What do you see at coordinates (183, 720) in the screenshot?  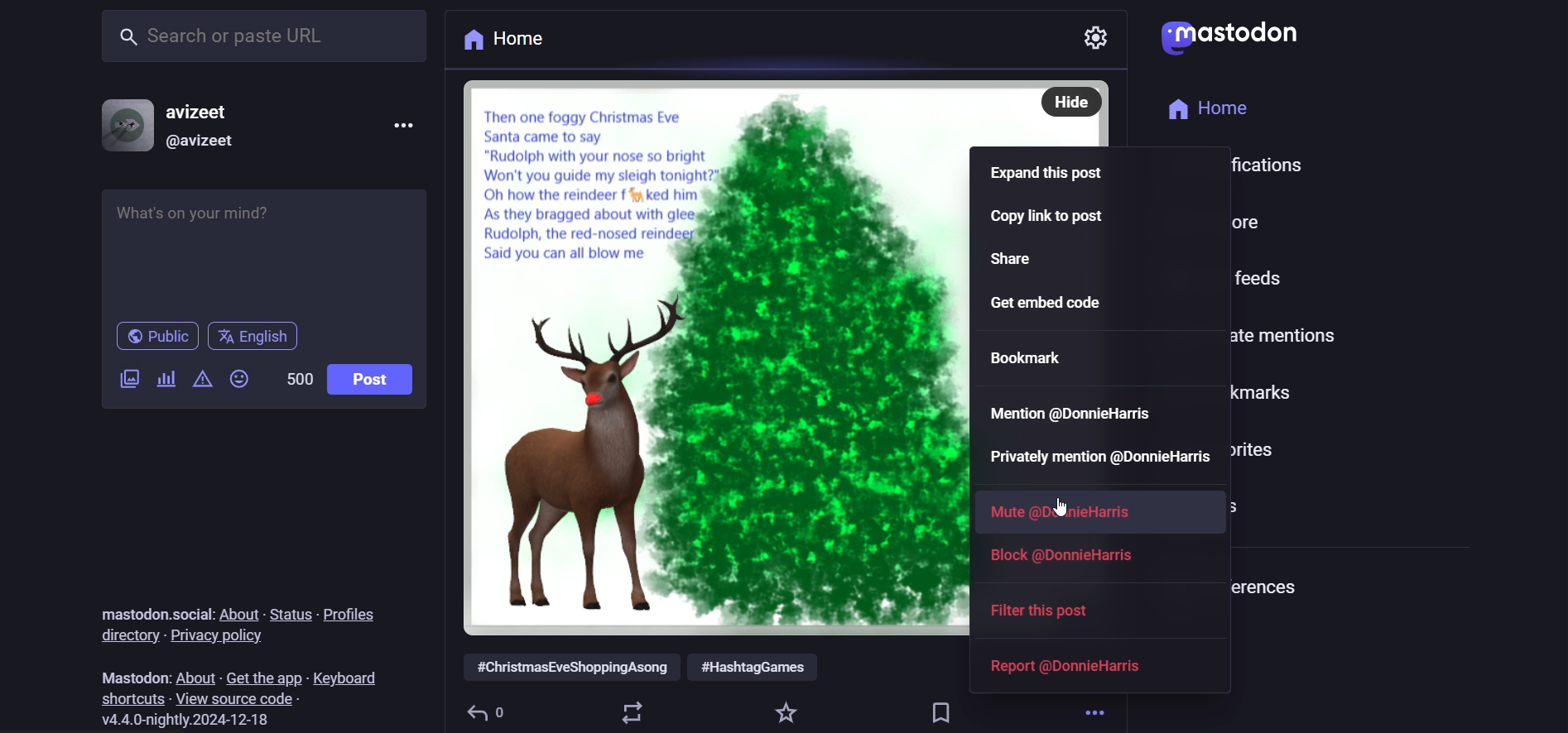 I see `version` at bounding box center [183, 720].